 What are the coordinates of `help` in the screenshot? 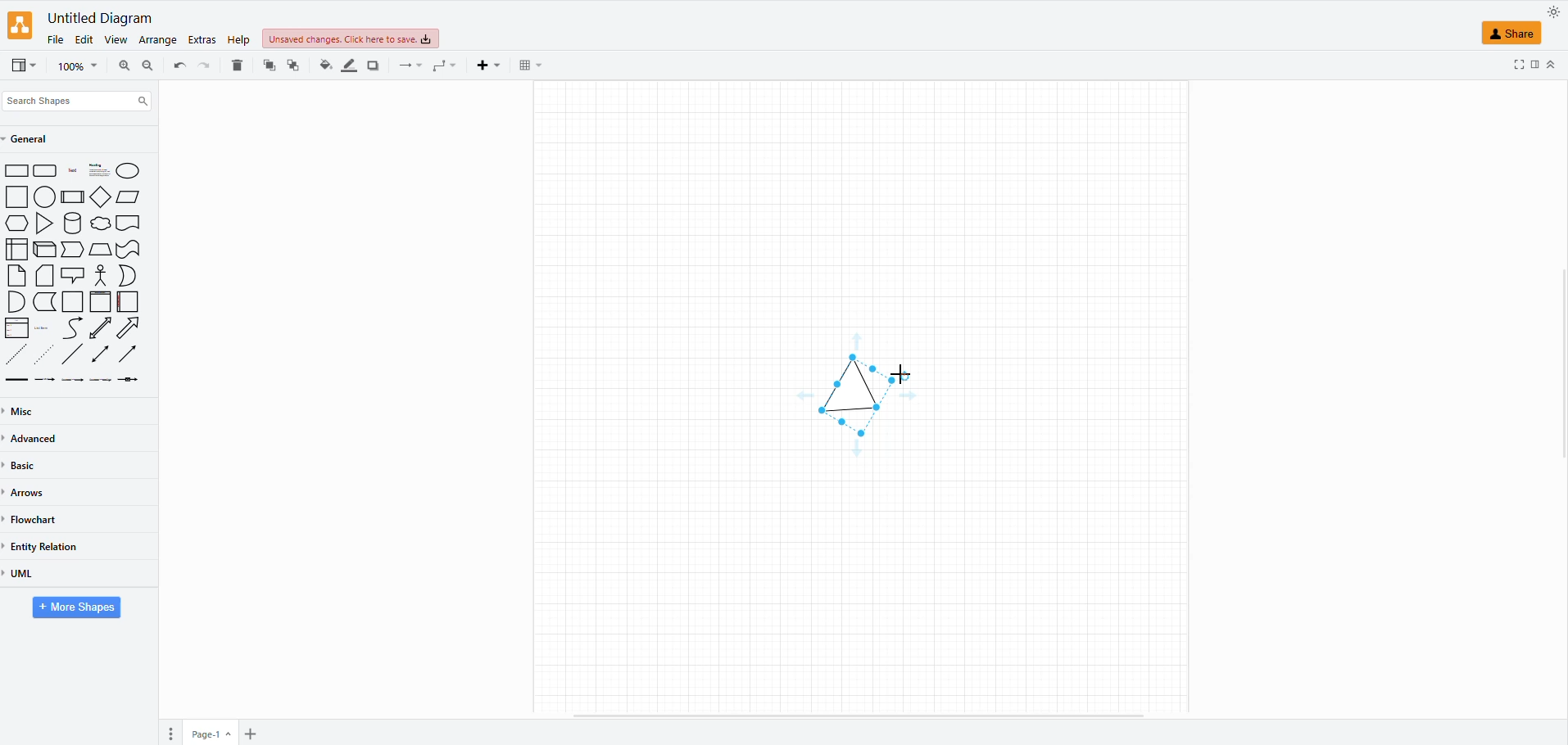 It's located at (238, 41).